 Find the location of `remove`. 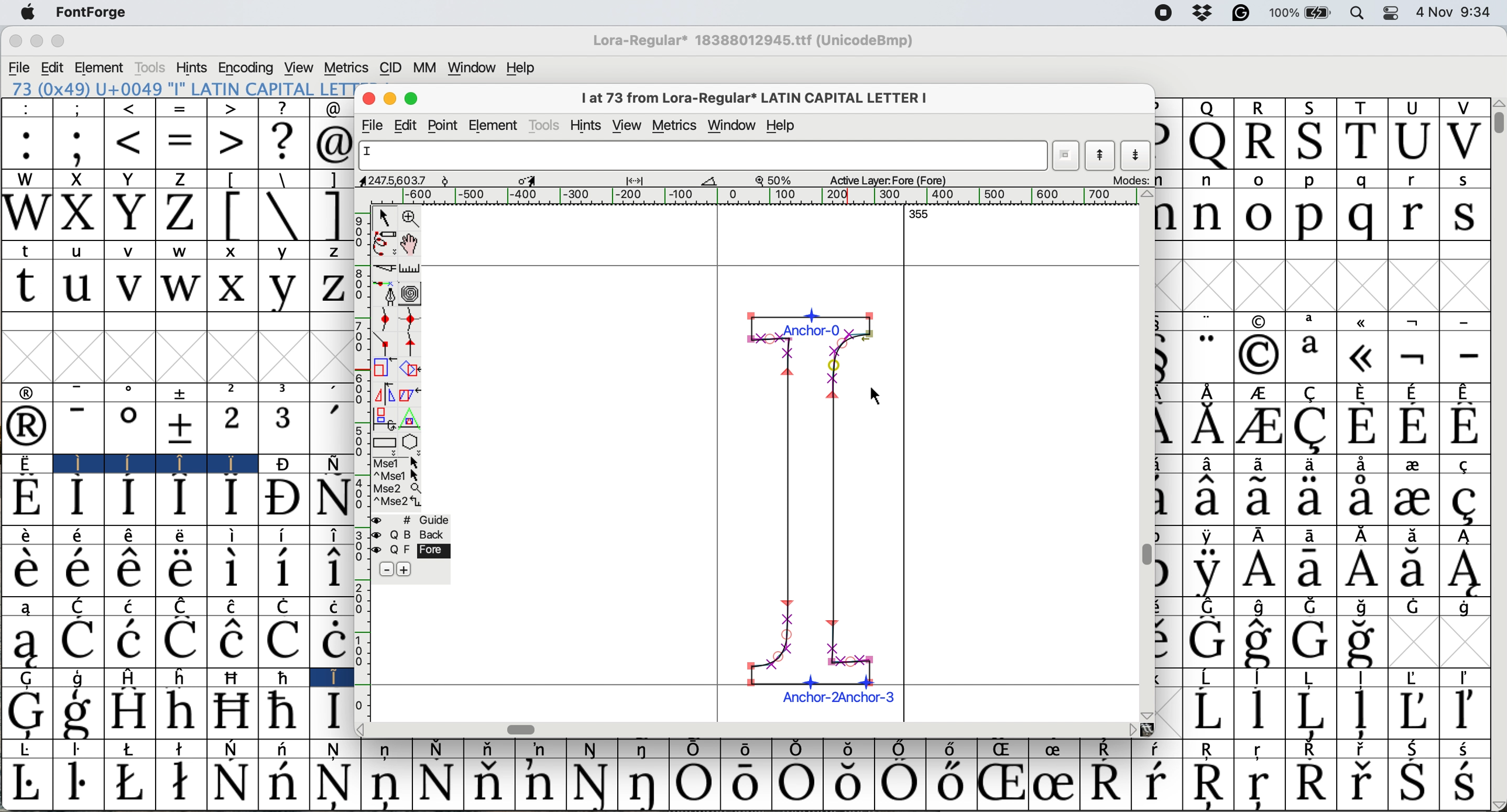

remove is located at coordinates (386, 570).